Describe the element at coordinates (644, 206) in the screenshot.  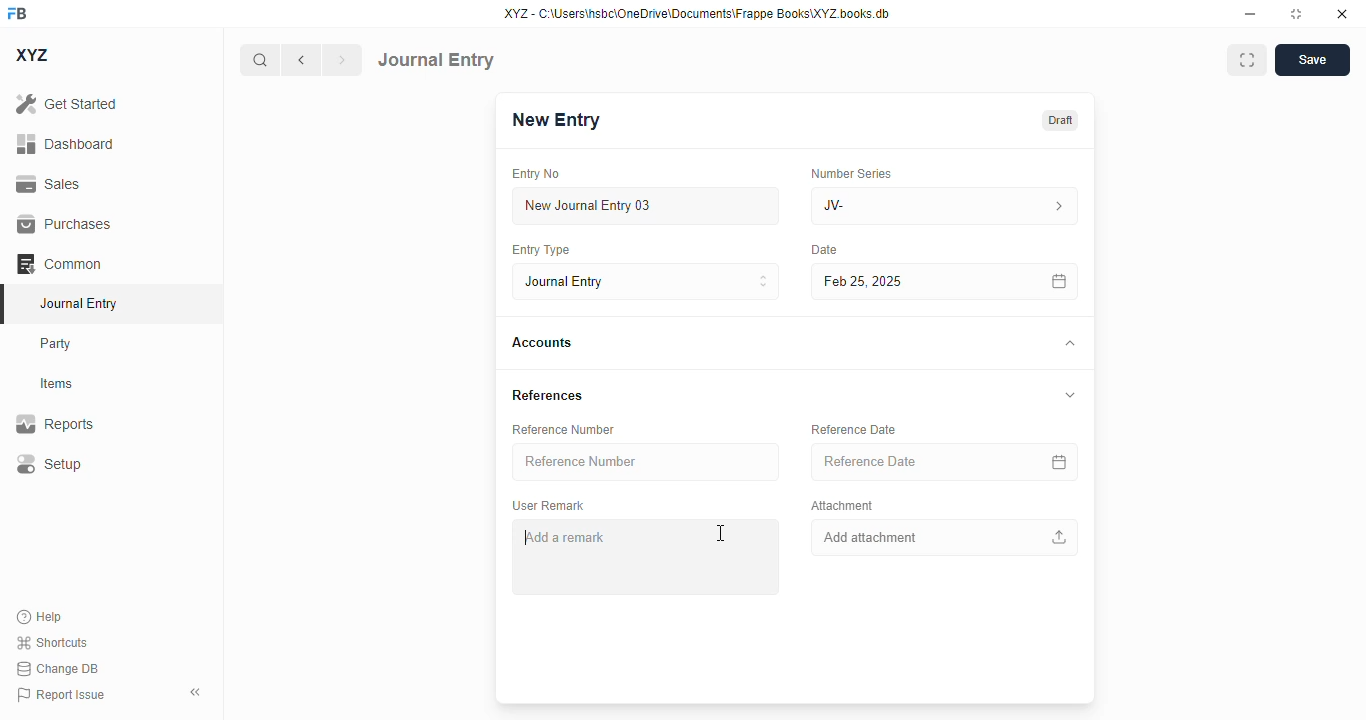
I see `new journal entry 03` at that location.